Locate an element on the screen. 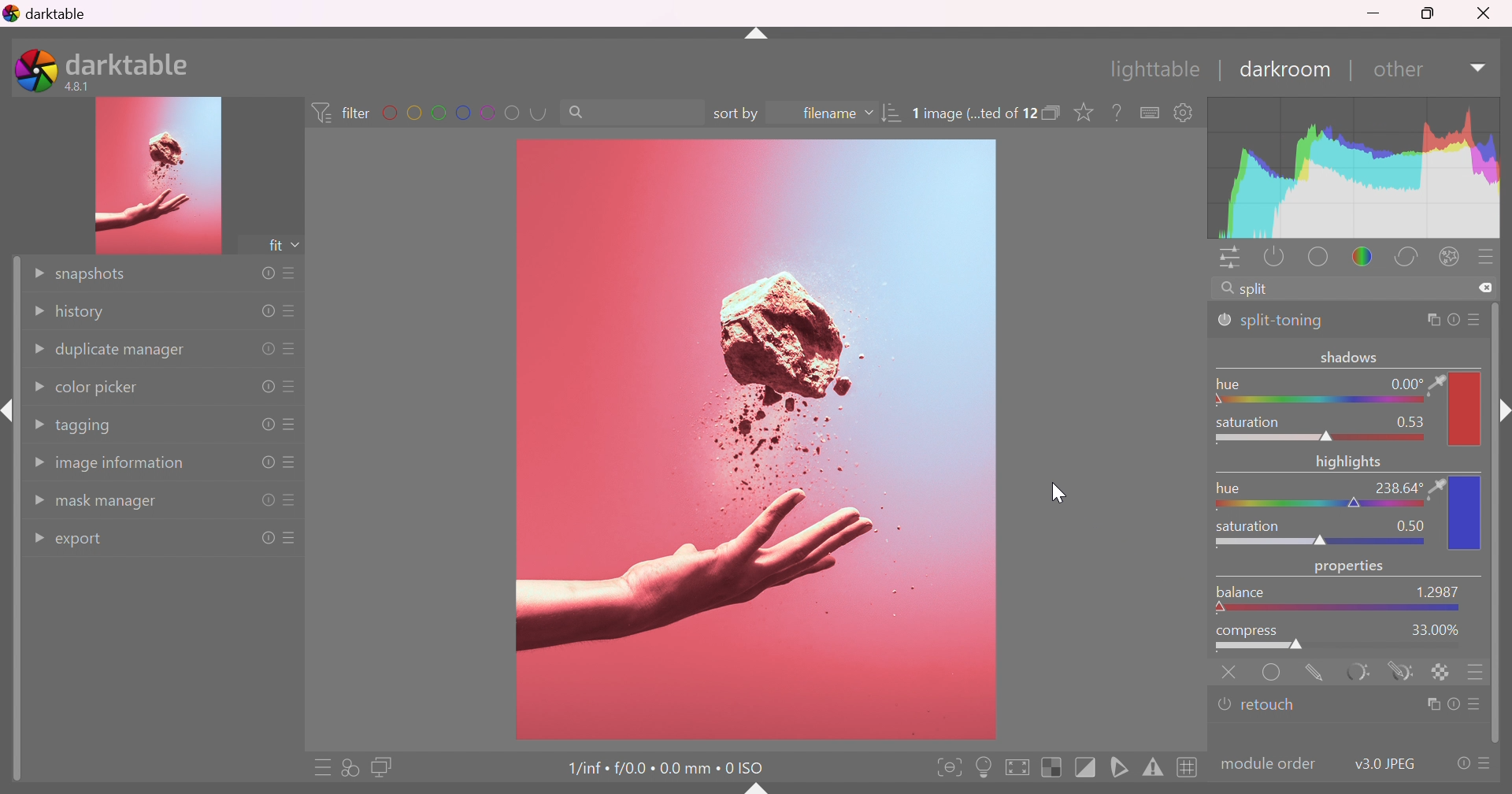  quick access to presets is located at coordinates (324, 770).